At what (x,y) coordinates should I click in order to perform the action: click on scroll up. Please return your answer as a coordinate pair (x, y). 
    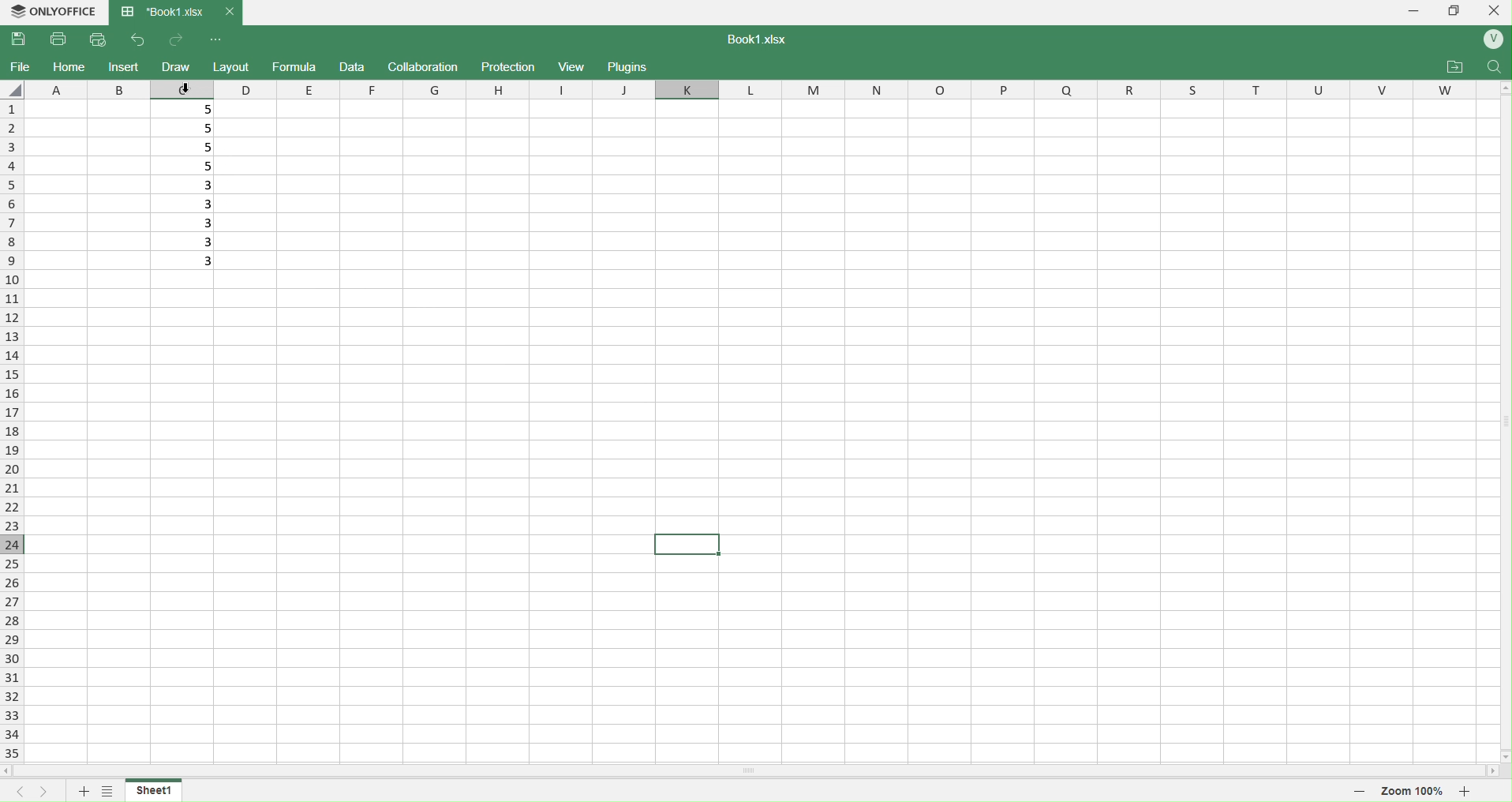
    Looking at the image, I should click on (1496, 89).